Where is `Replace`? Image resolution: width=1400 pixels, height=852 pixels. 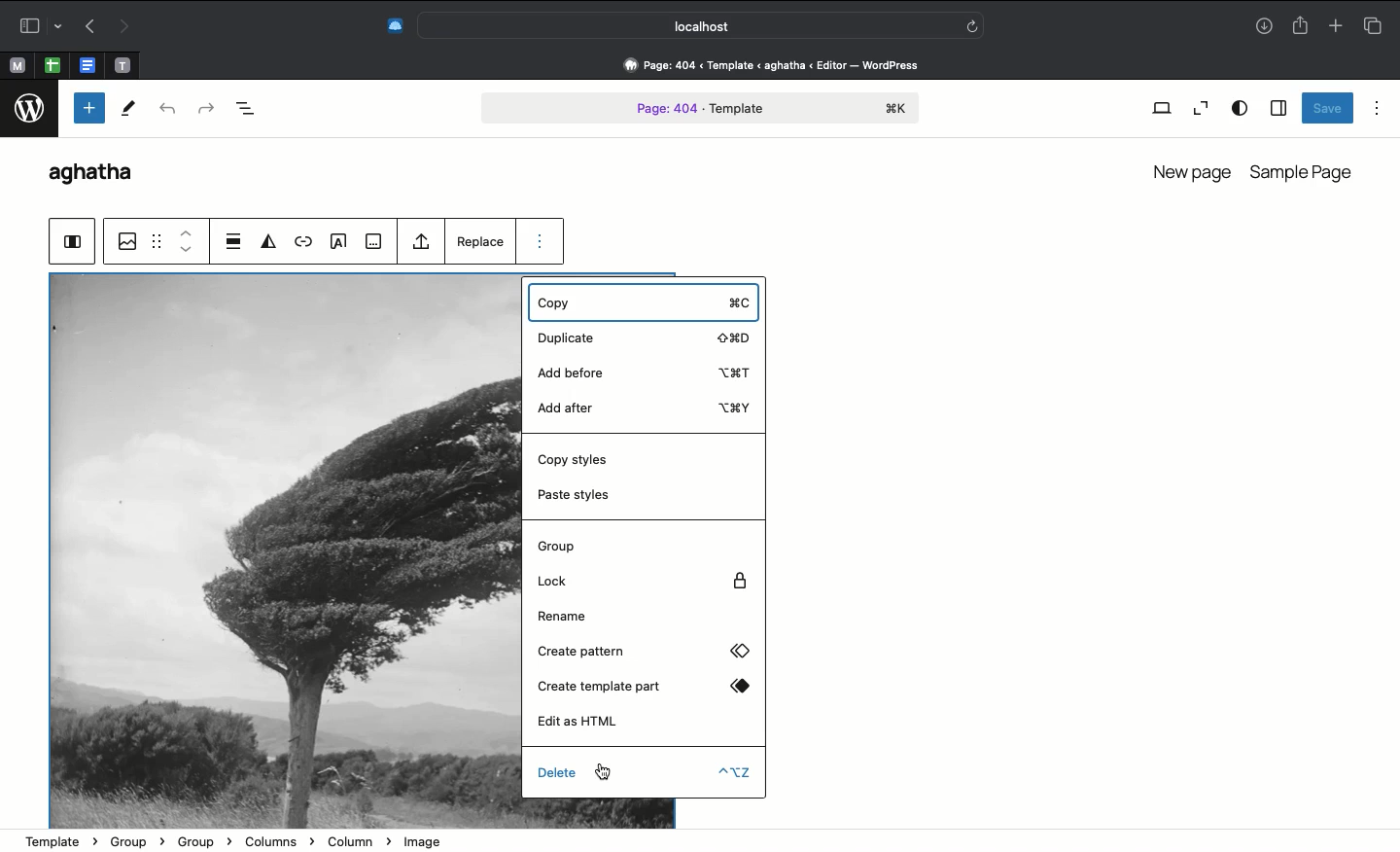
Replace is located at coordinates (477, 241).